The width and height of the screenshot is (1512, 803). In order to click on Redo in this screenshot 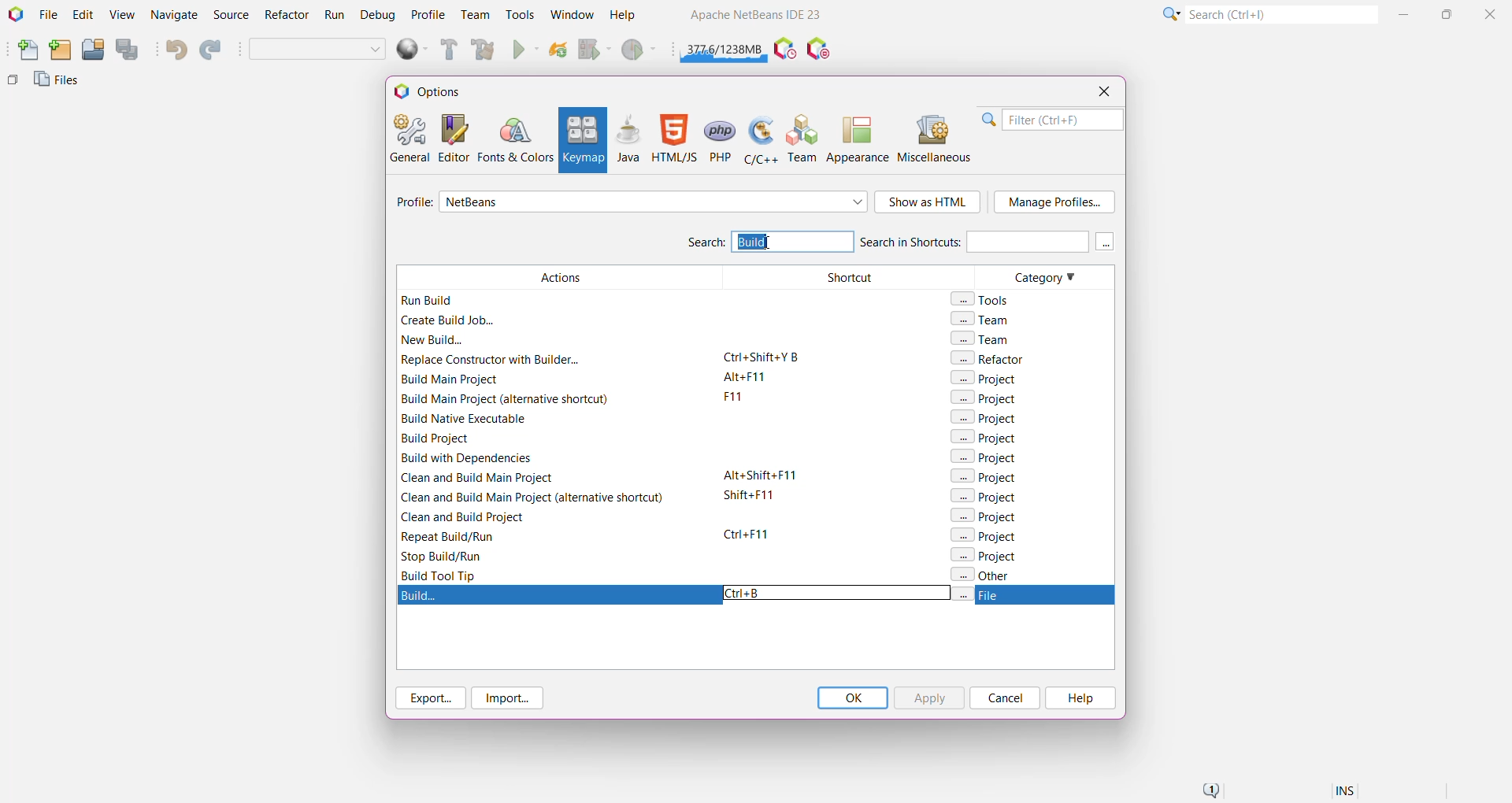, I will do `click(213, 50)`.